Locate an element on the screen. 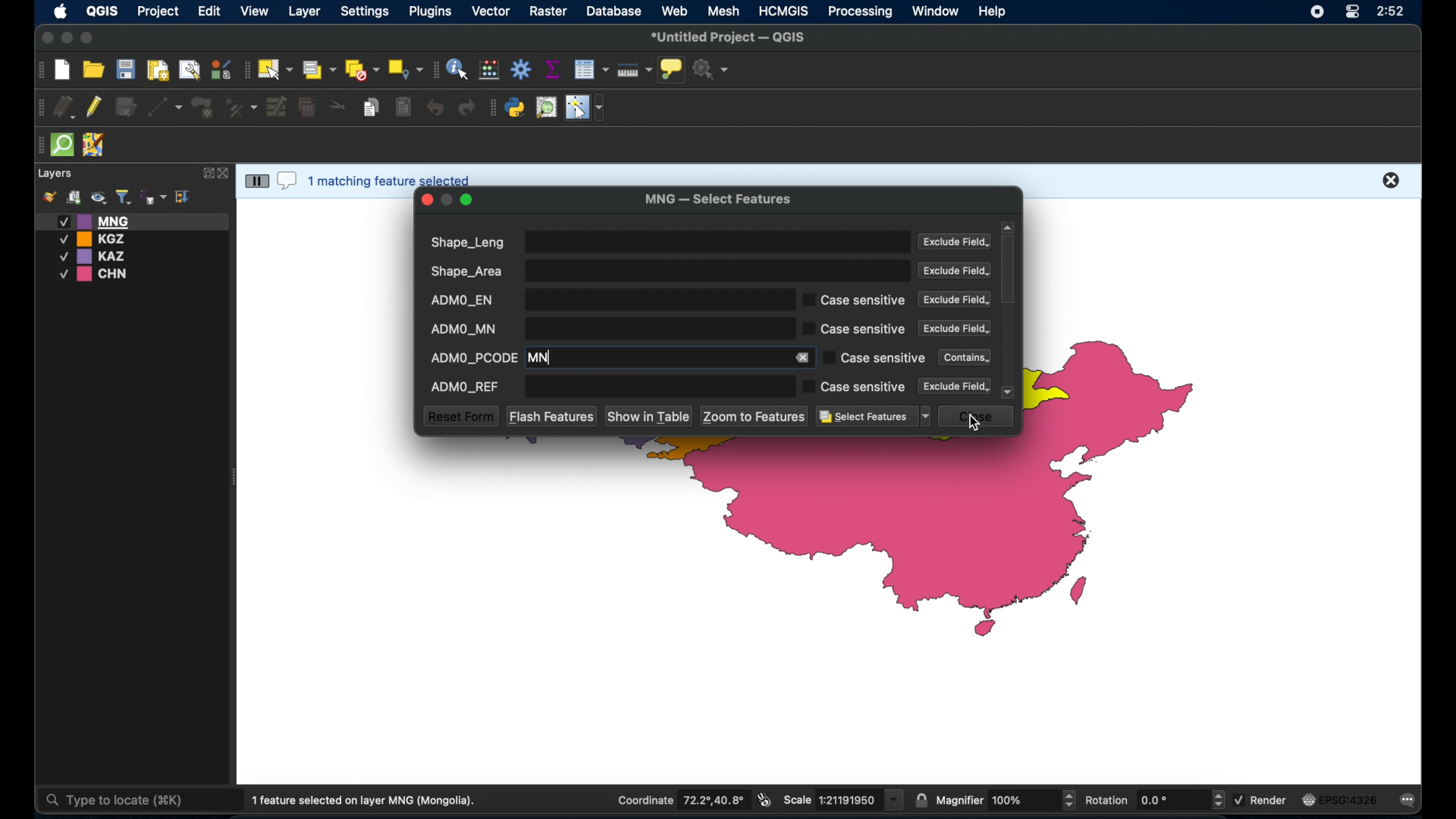 The width and height of the screenshot is (1456, 819). jsom remote is located at coordinates (96, 146).